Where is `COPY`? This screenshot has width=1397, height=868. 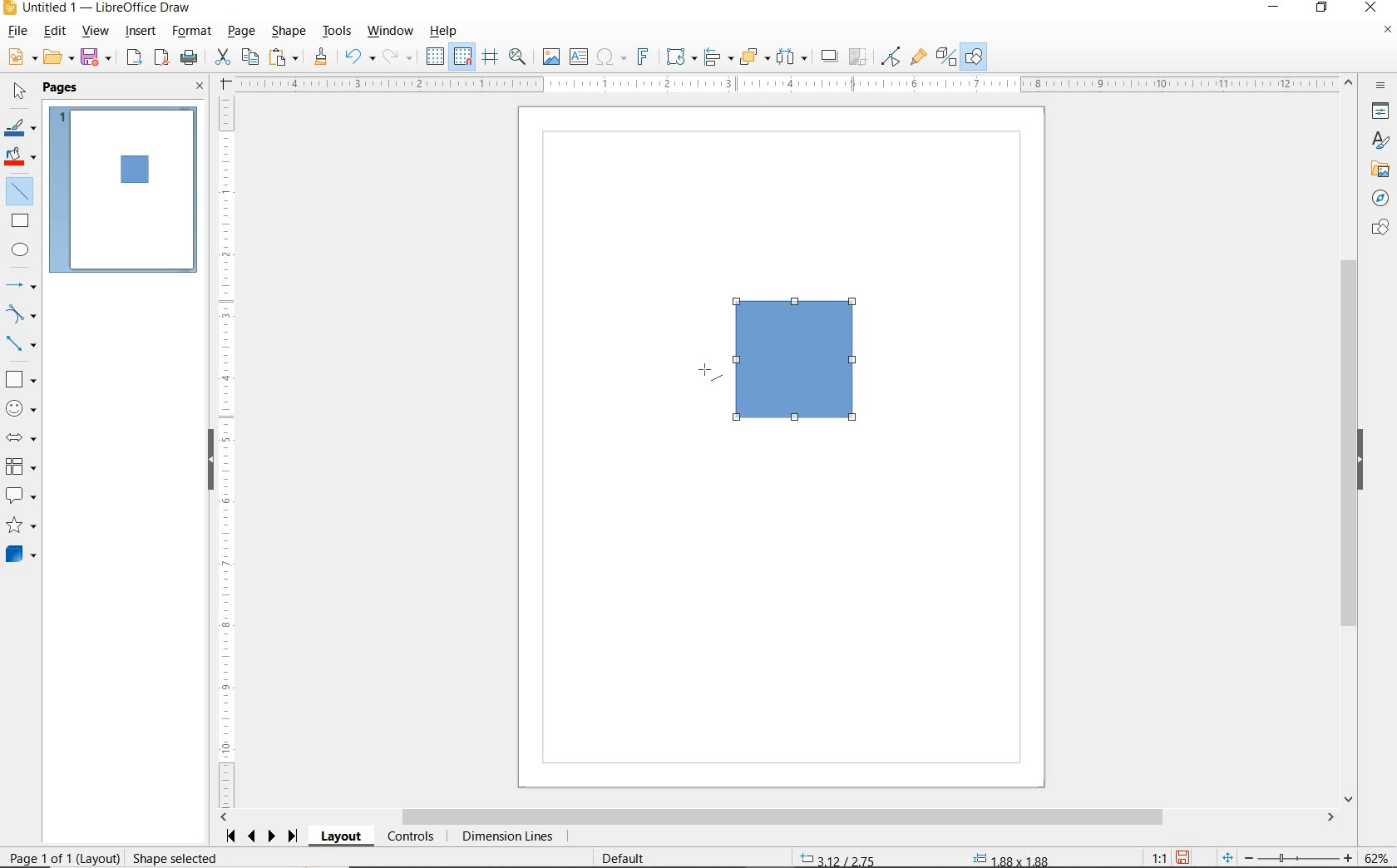 COPY is located at coordinates (249, 57).